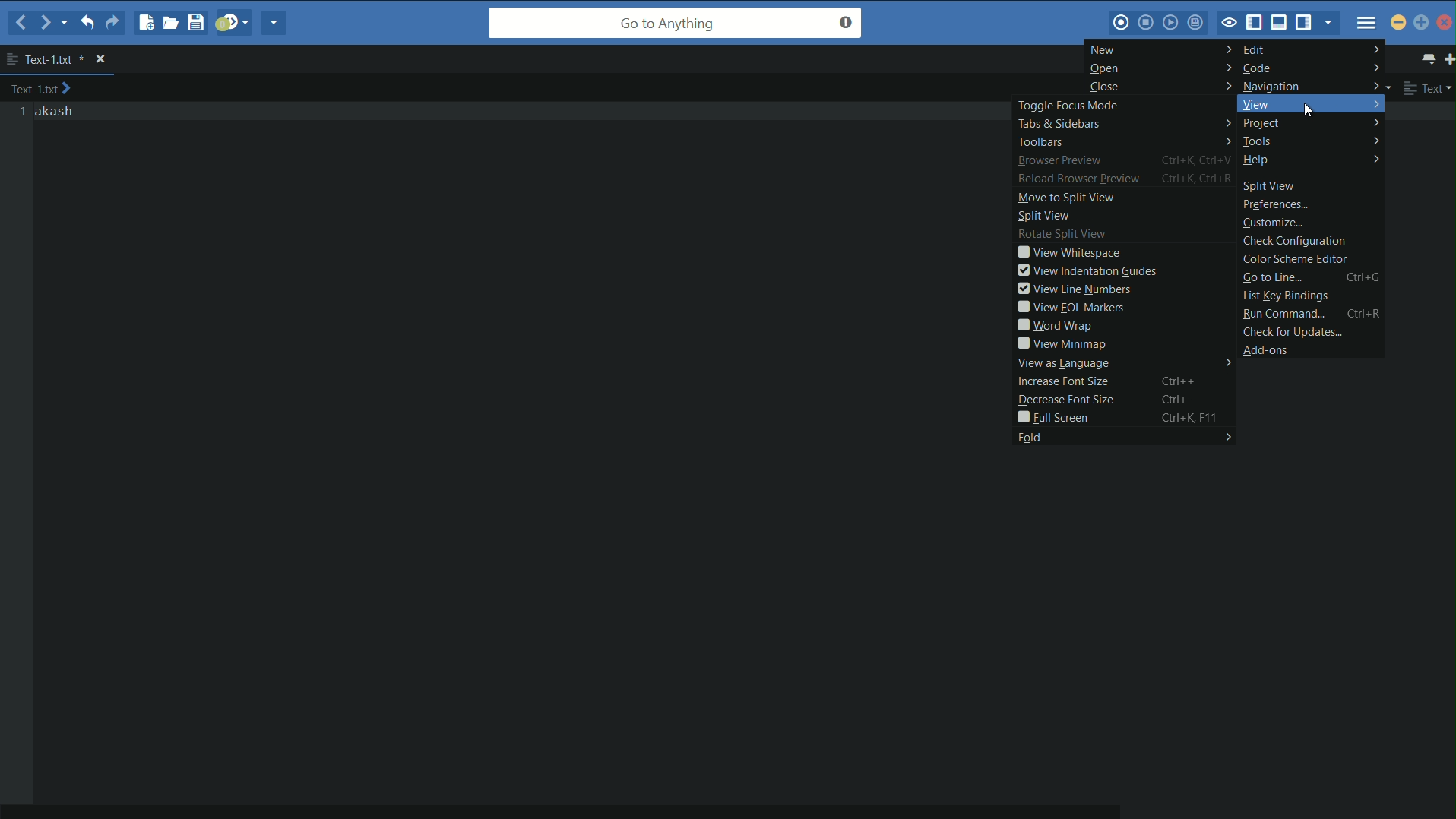  I want to click on more options, so click(11, 59).